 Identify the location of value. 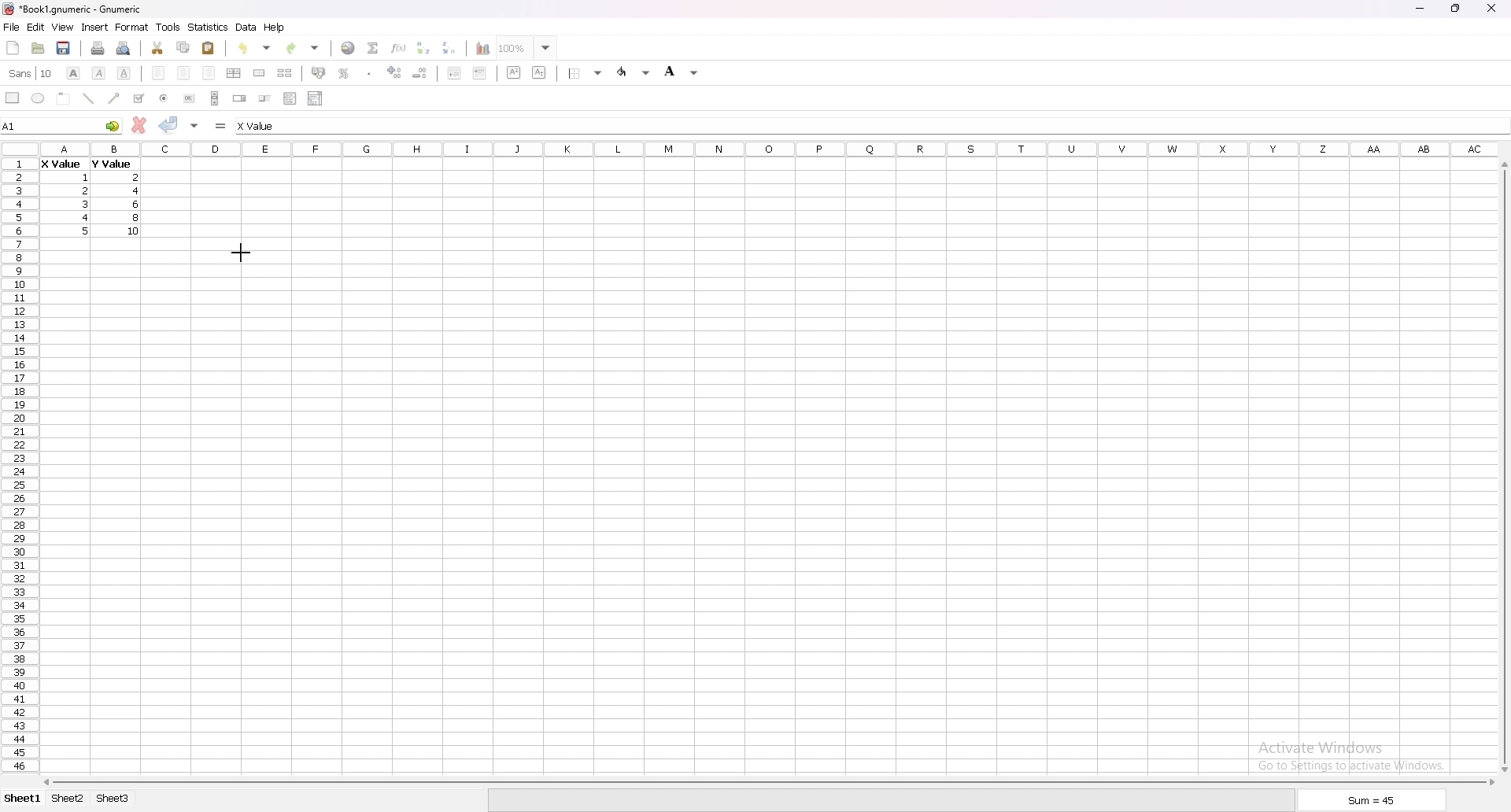
(61, 165).